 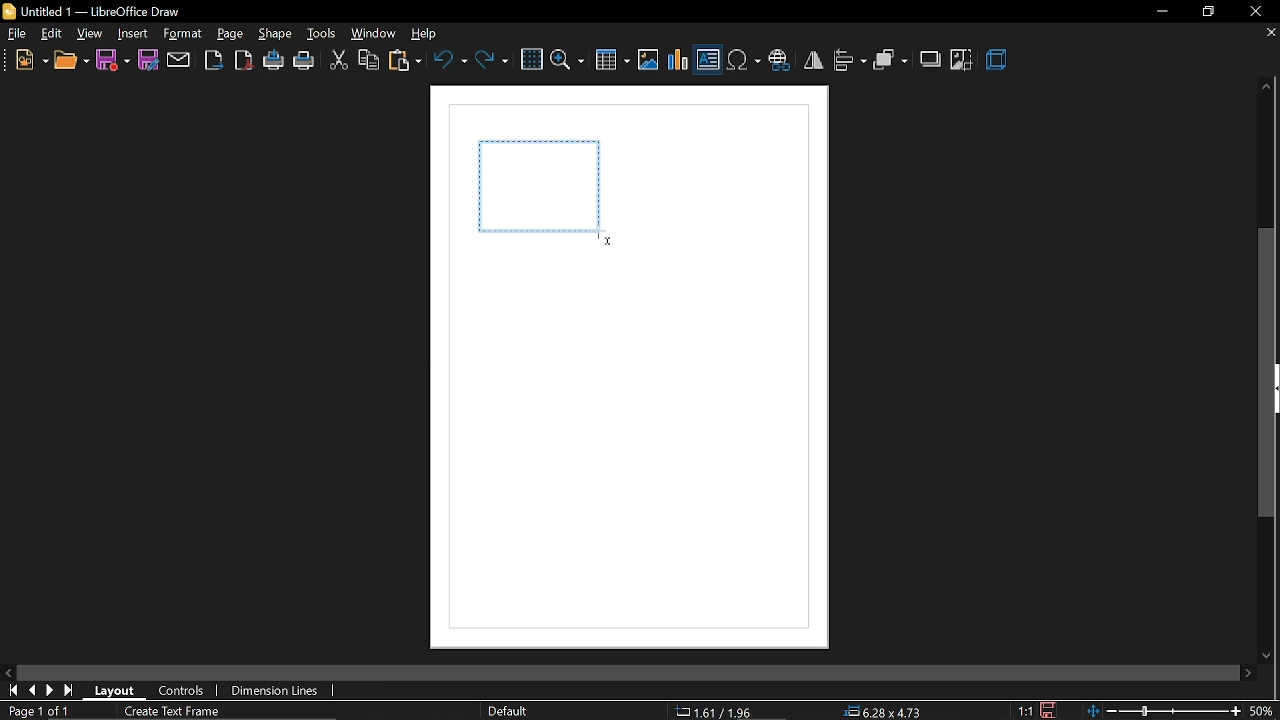 What do you see at coordinates (91, 34) in the screenshot?
I see `view` at bounding box center [91, 34].